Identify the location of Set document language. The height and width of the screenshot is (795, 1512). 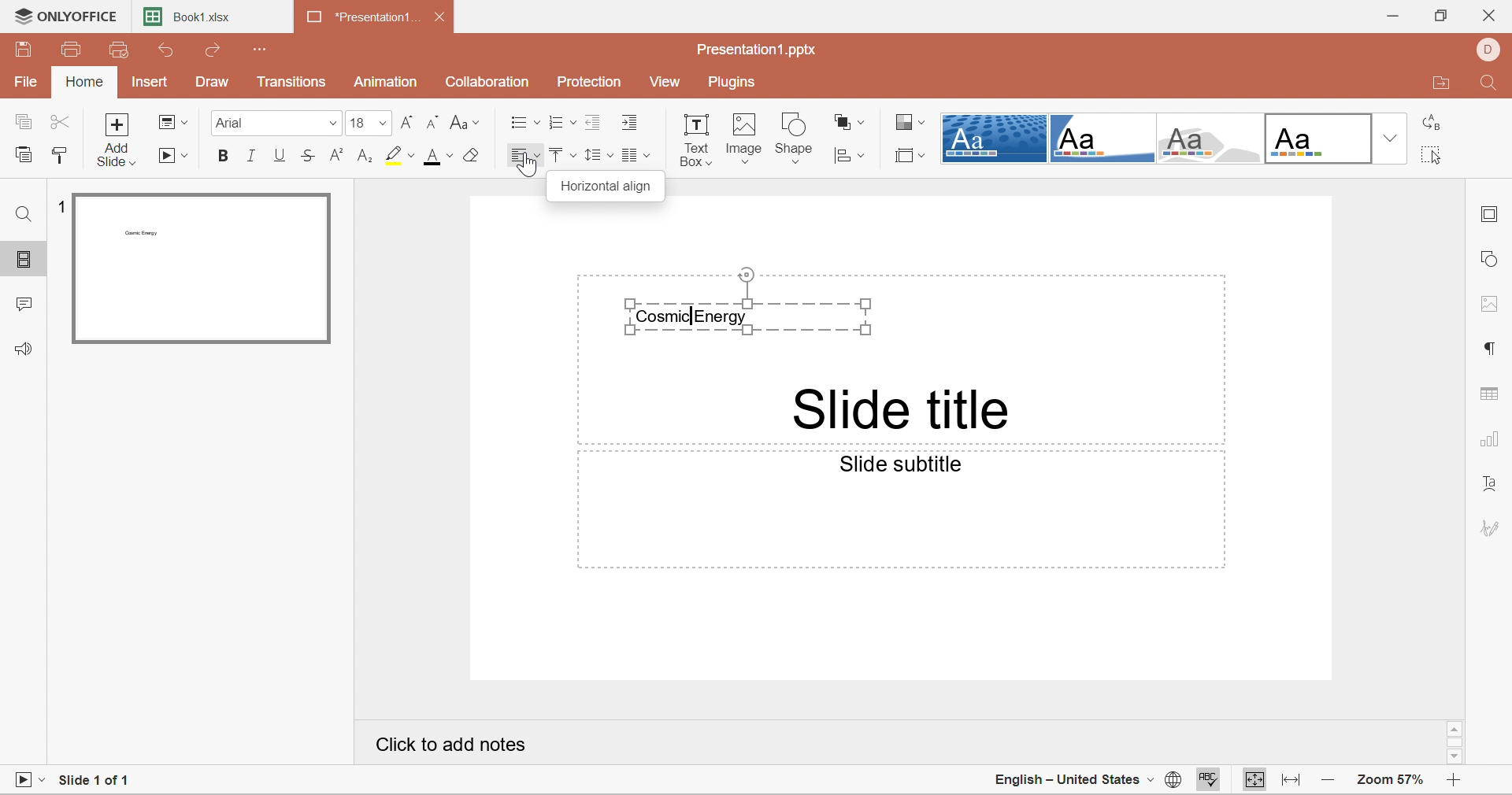
(1169, 781).